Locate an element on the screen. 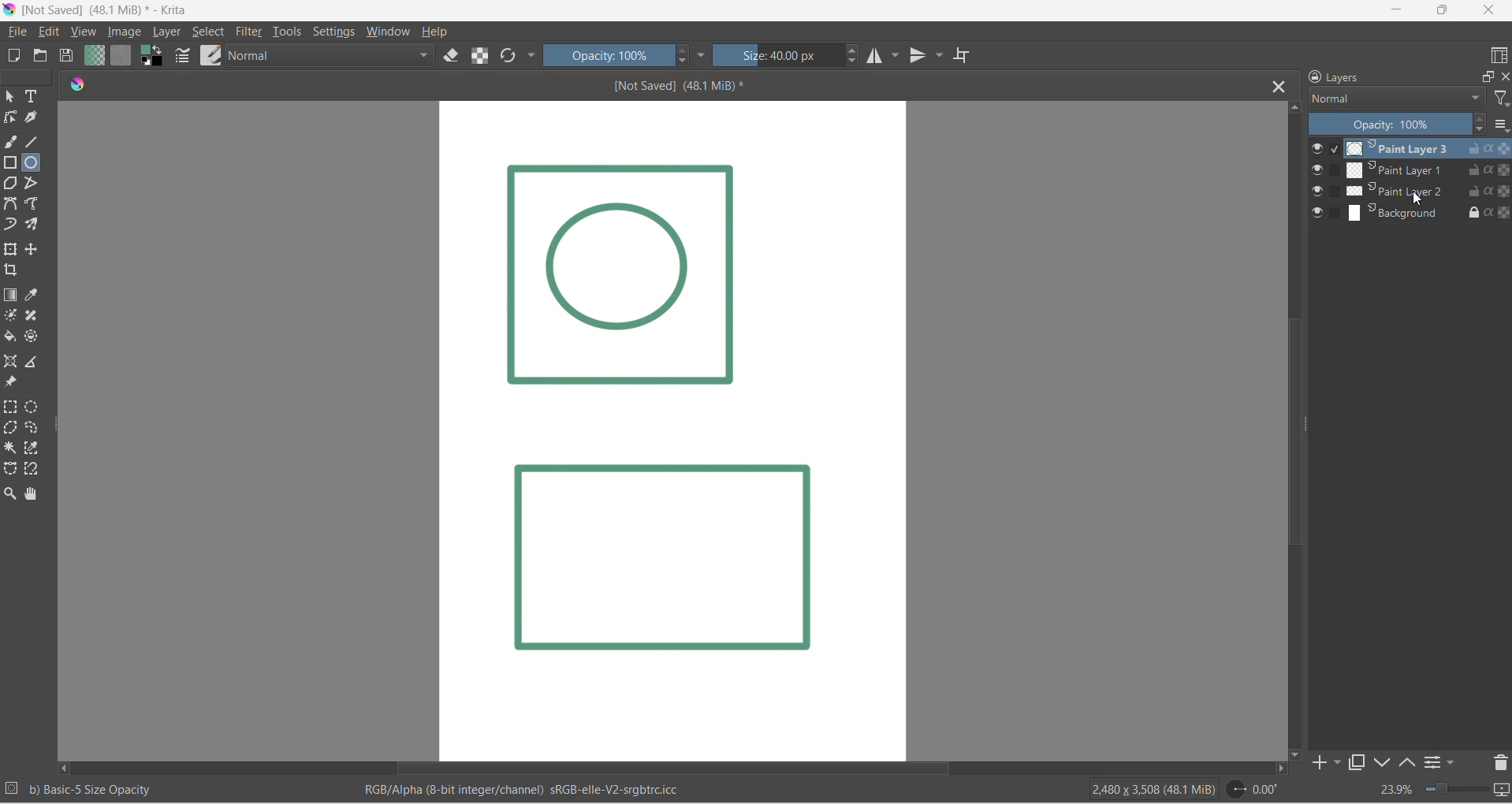  layers heading is located at coordinates (1380, 76).